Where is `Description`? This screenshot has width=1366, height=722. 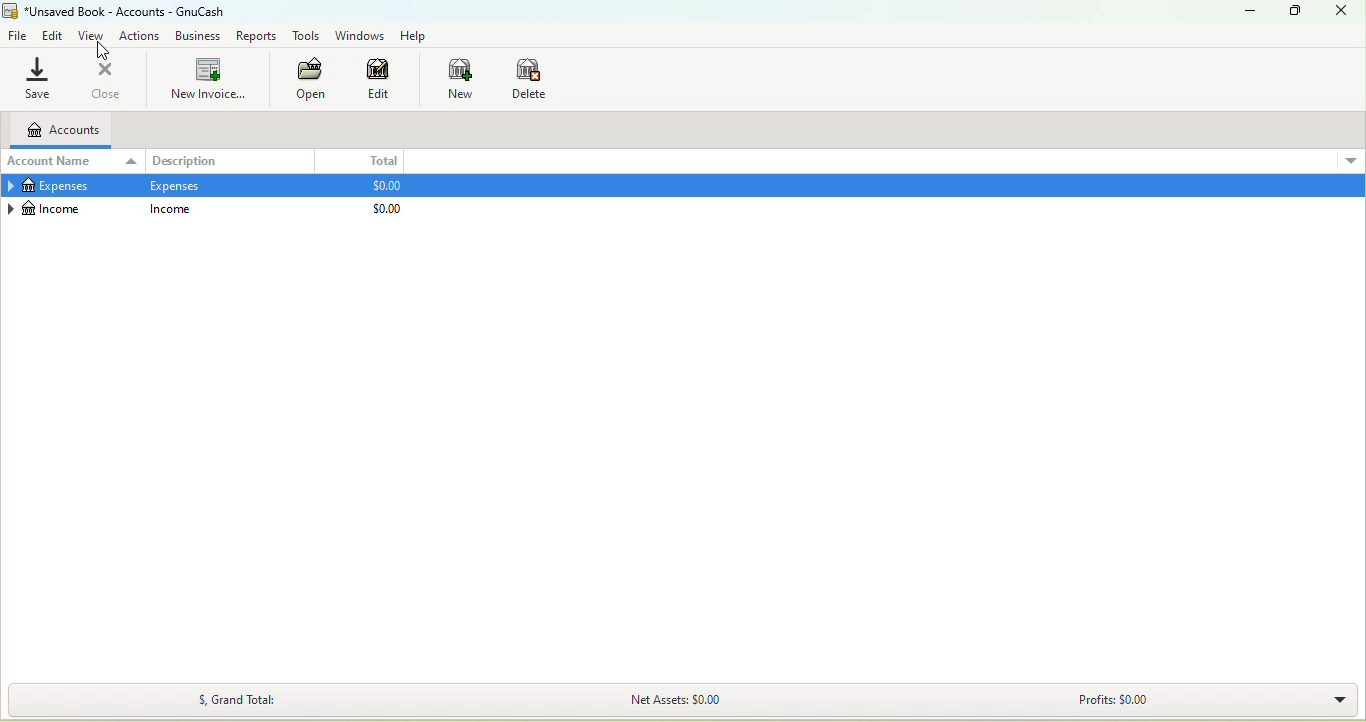
Description is located at coordinates (230, 160).